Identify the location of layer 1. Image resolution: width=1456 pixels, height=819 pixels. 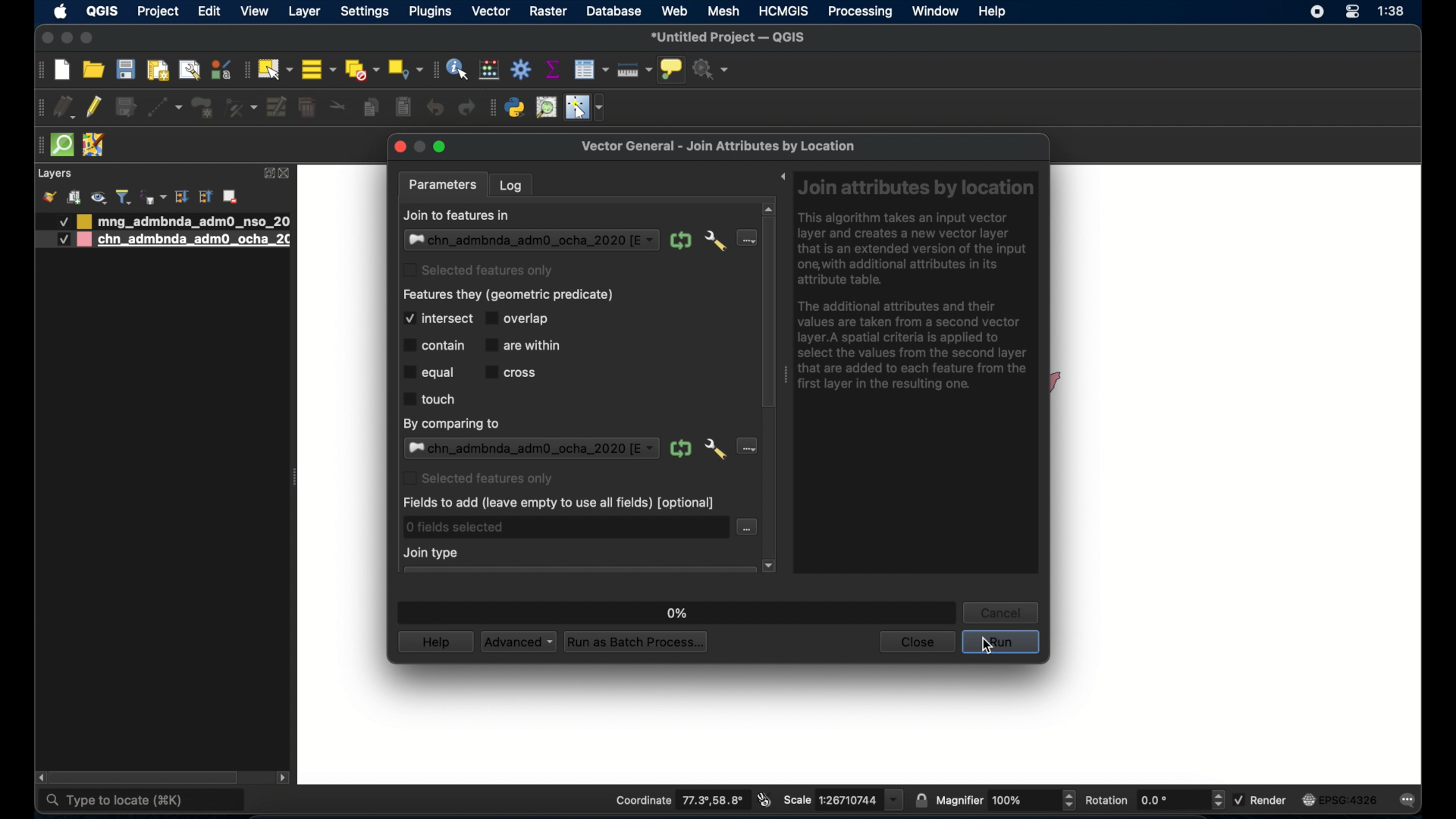
(186, 221).